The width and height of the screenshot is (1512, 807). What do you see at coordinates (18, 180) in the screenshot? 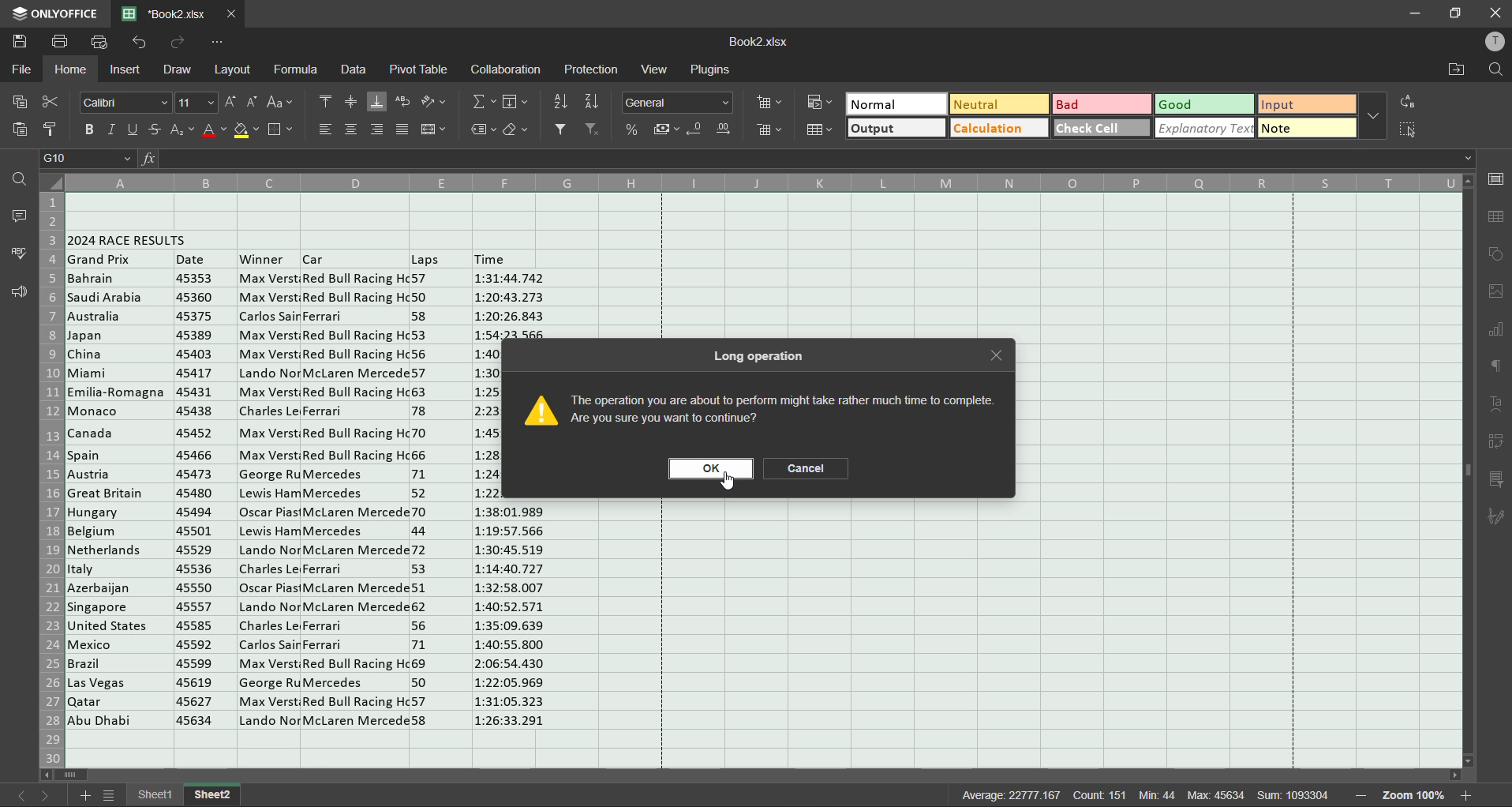
I see `find` at bounding box center [18, 180].